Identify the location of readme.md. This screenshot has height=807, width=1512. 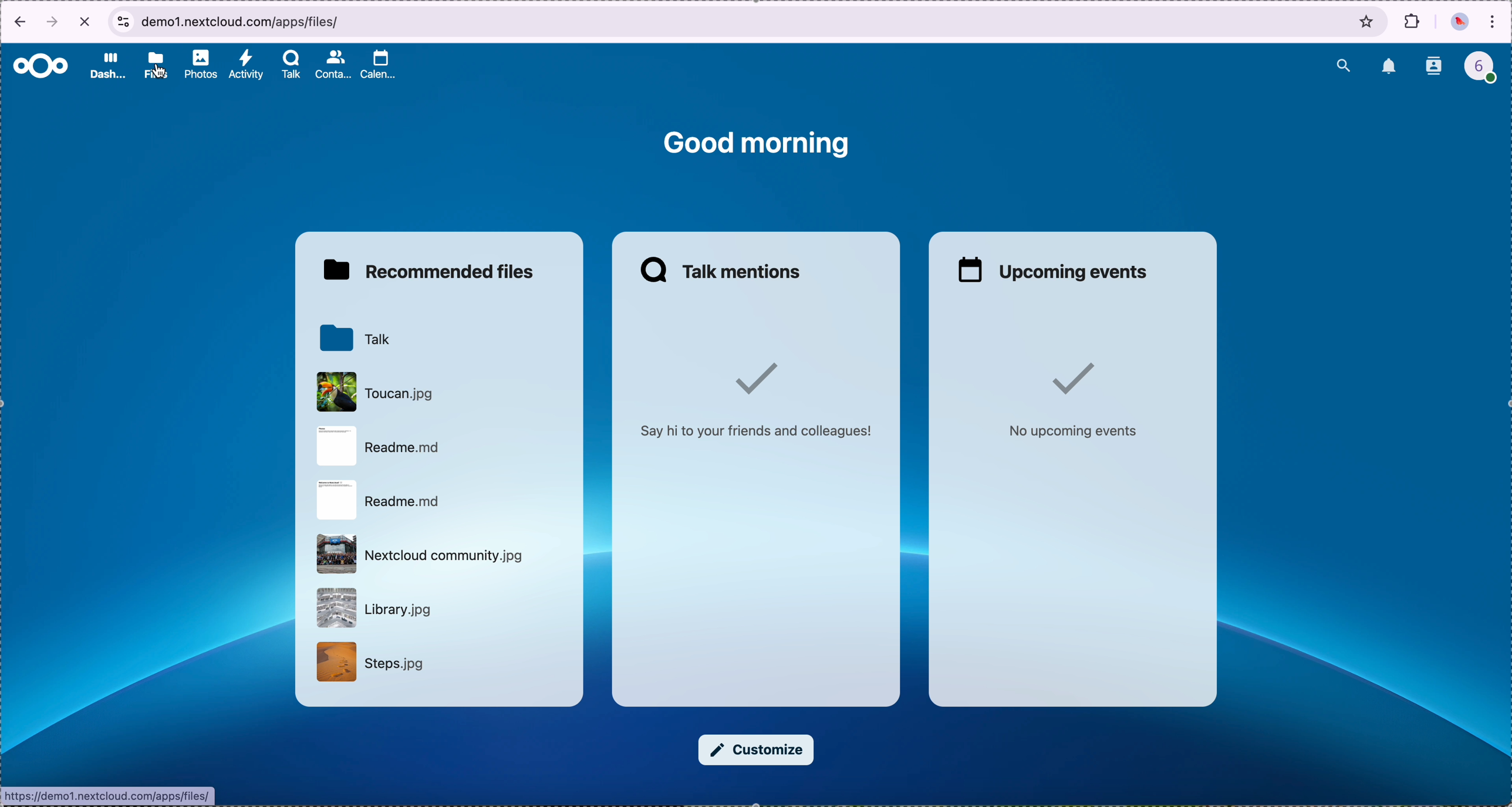
(377, 446).